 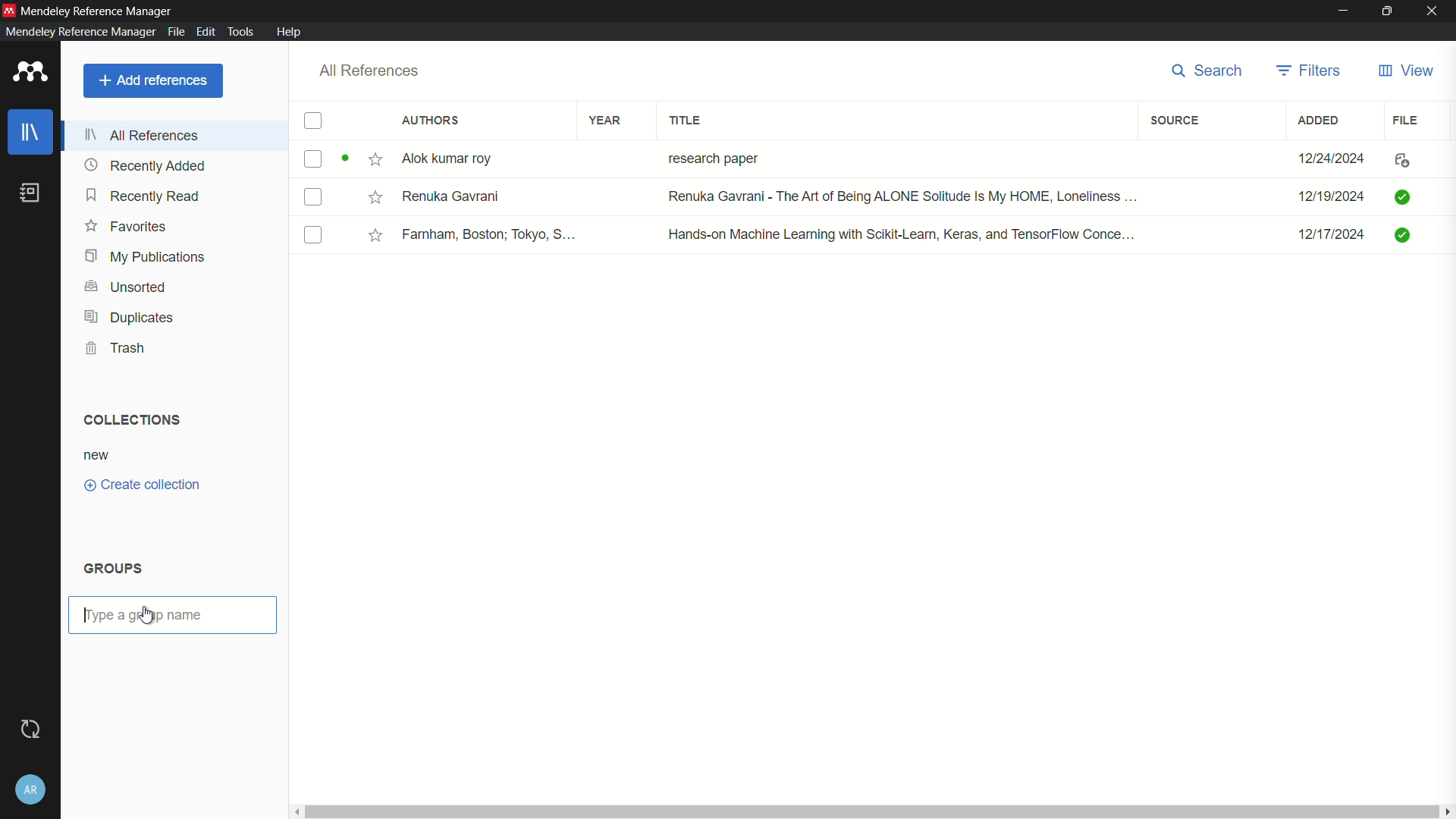 I want to click on duplicates, so click(x=128, y=318).